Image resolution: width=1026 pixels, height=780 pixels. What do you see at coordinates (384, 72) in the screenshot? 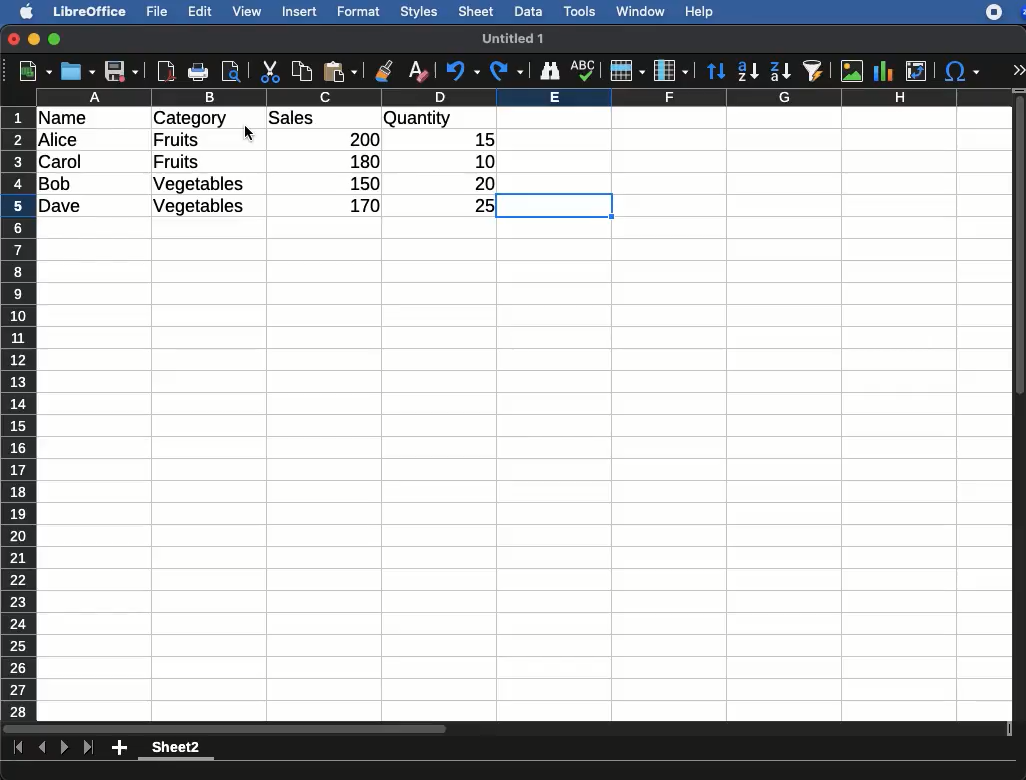
I see `clone formatting` at bounding box center [384, 72].